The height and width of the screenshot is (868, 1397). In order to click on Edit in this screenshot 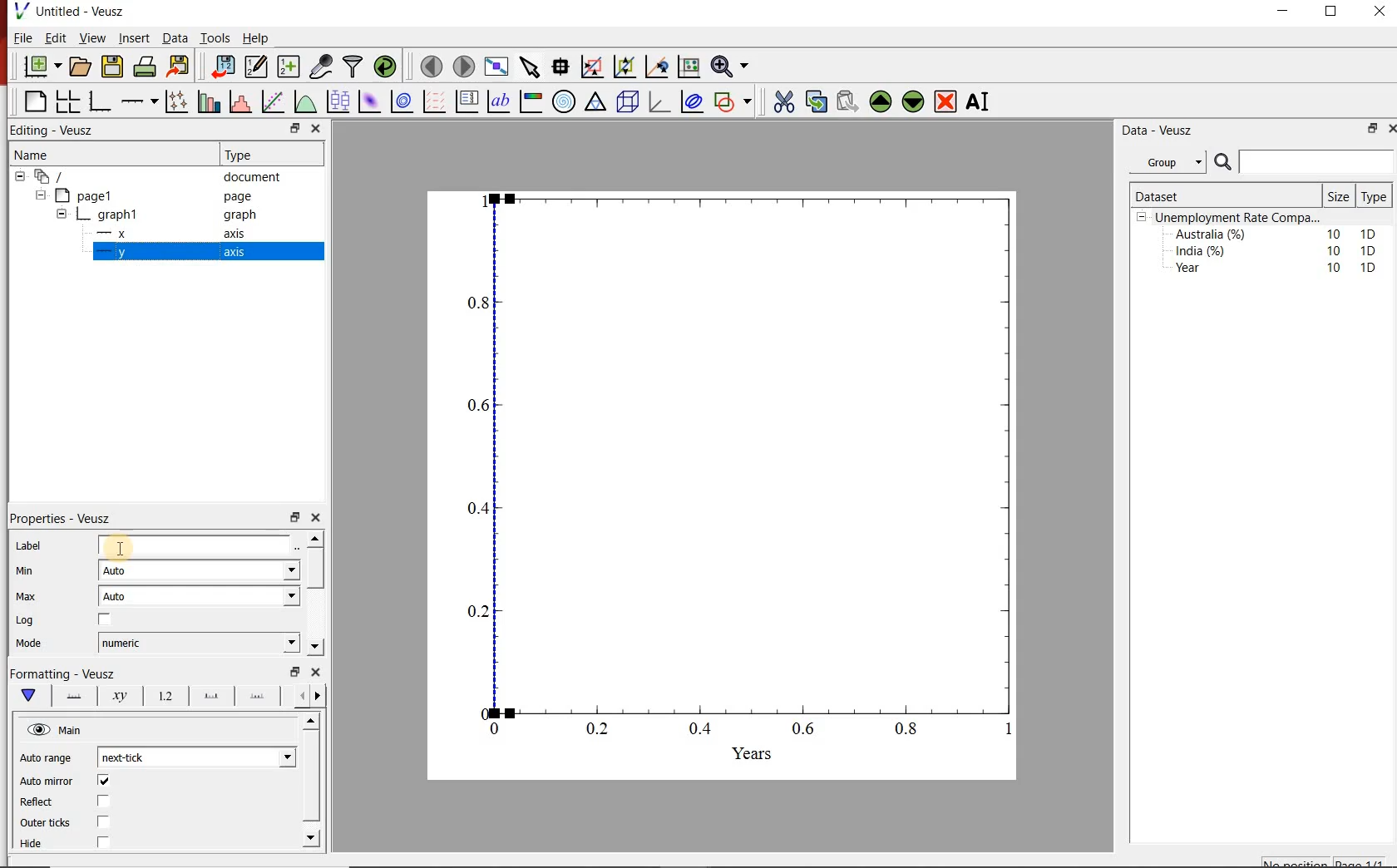, I will do `click(53, 37)`.